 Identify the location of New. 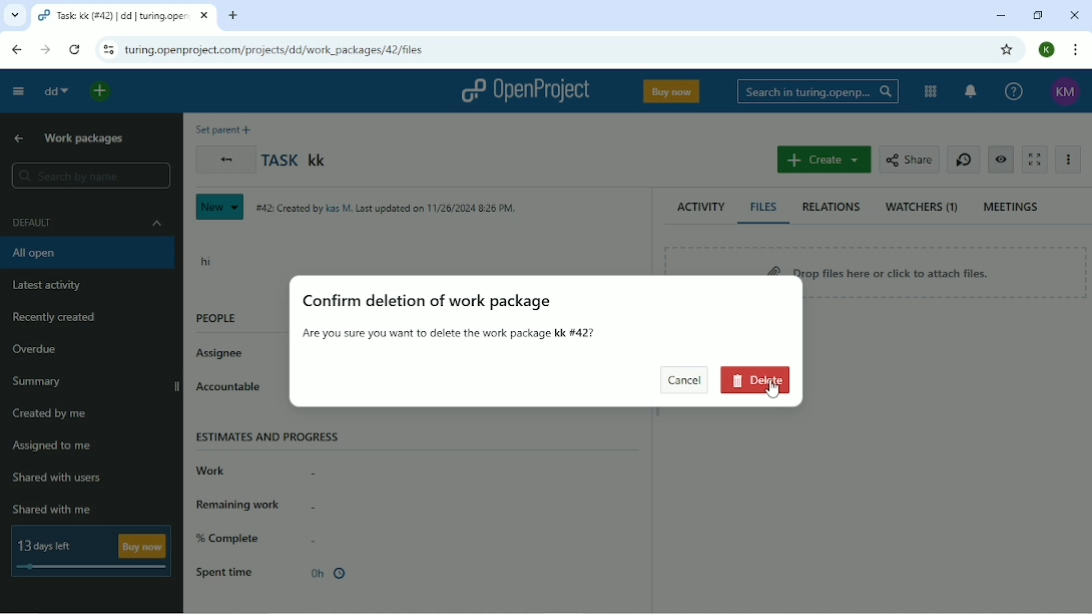
(221, 207).